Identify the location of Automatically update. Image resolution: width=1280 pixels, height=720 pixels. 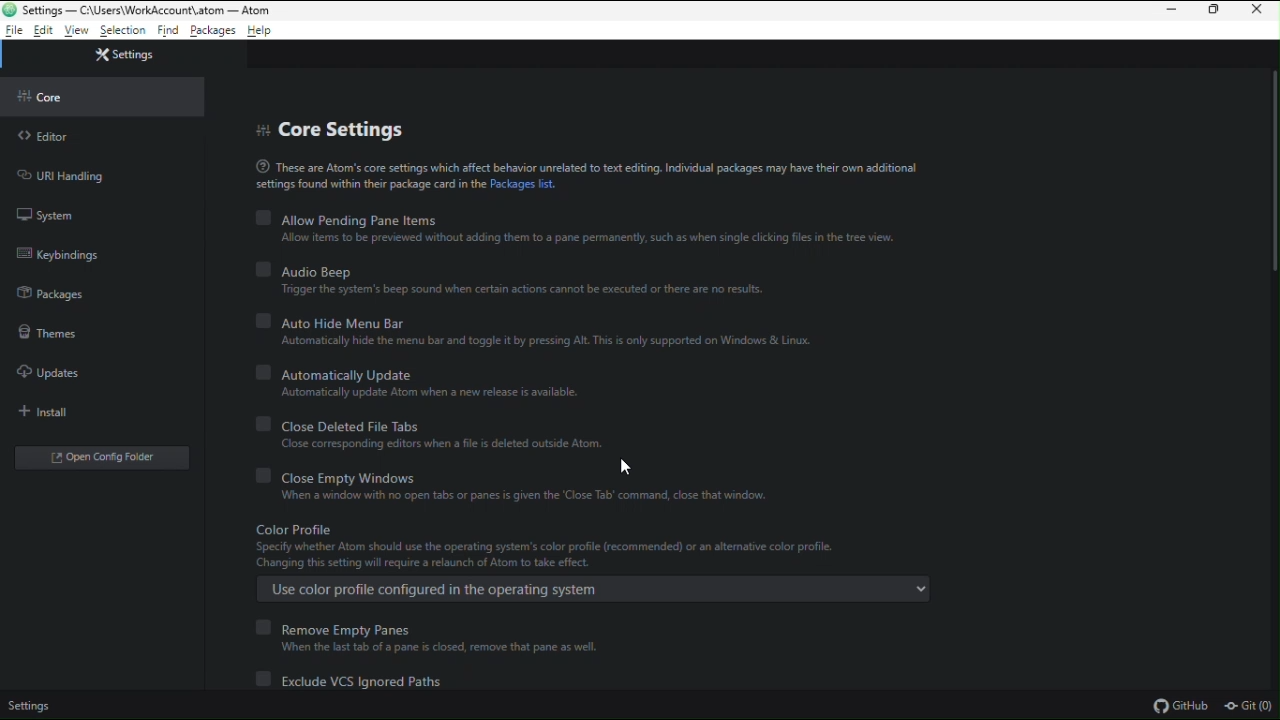
(491, 381).